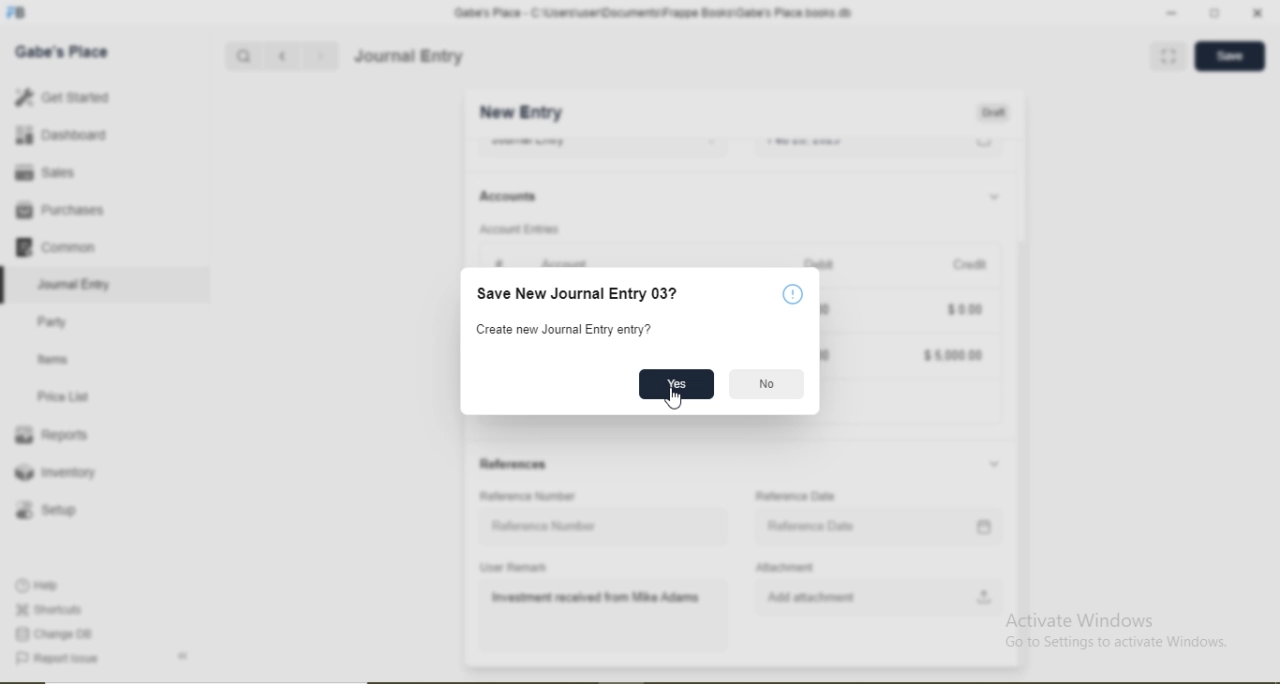 This screenshot has height=684, width=1280. Describe the element at coordinates (519, 229) in the screenshot. I see `Account Entries` at that location.